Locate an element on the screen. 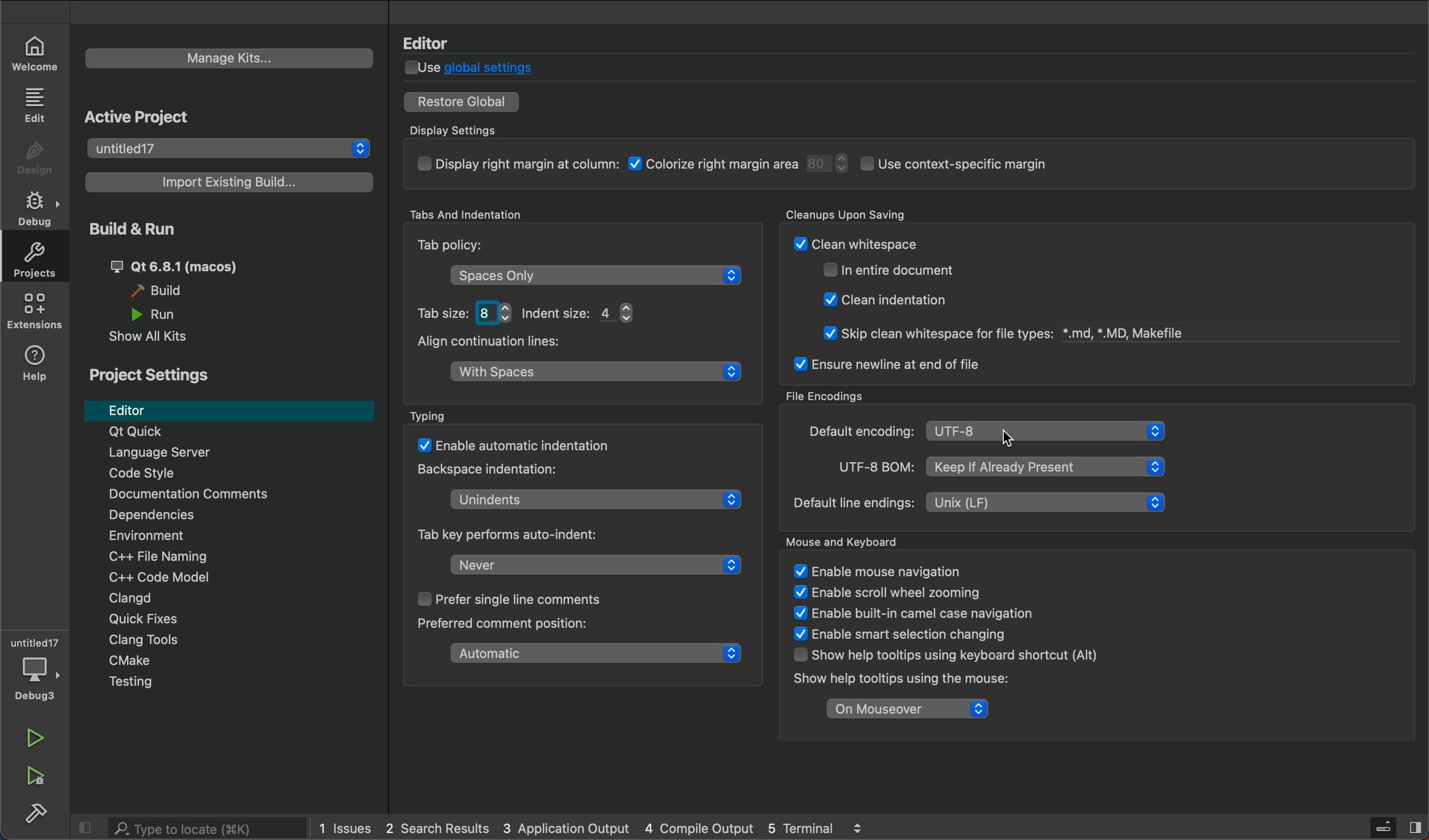  cmake is located at coordinates (217, 662).